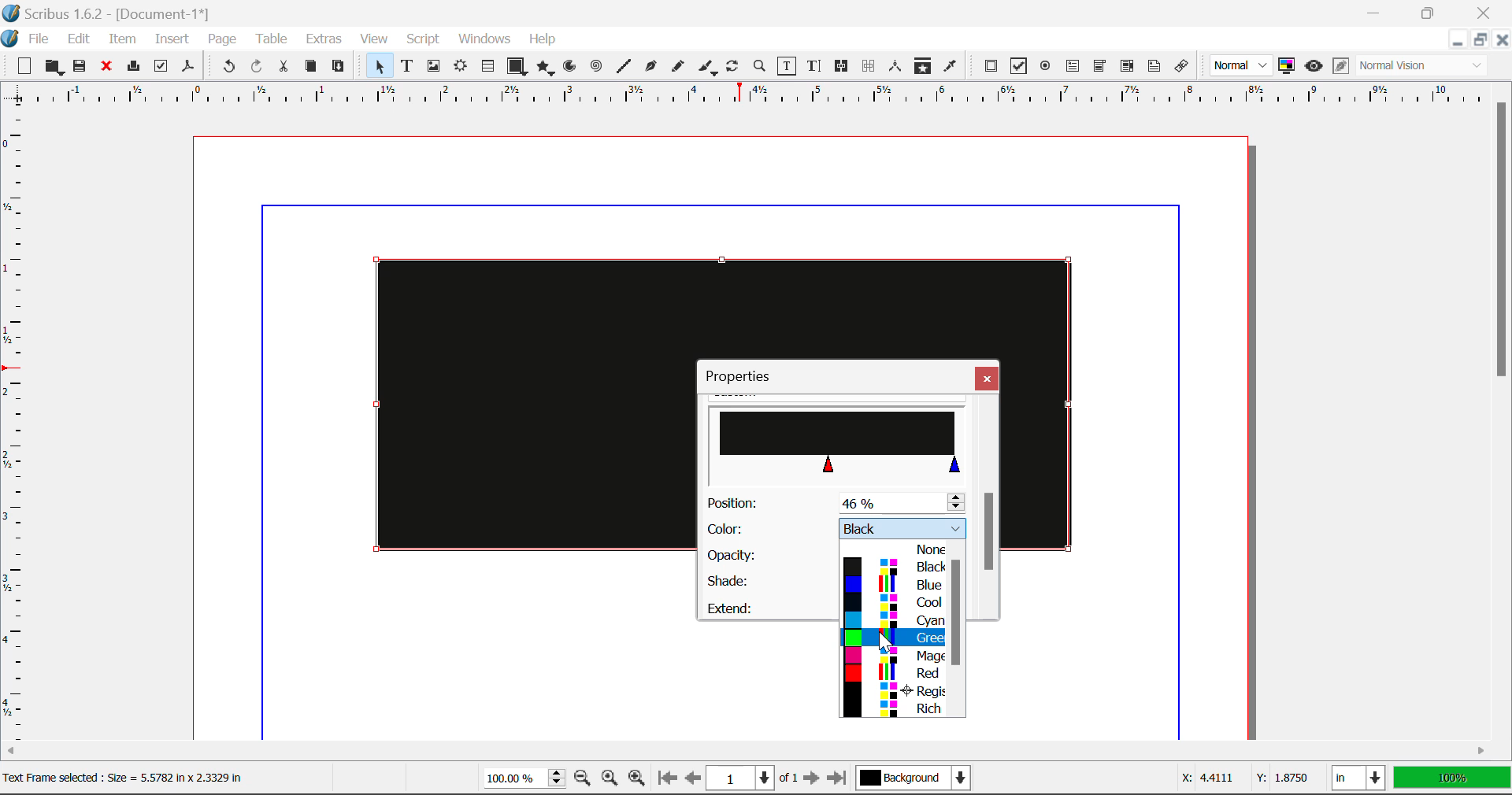 This screenshot has height=795, width=1512. I want to click on scribus logo, so click(13, 39).